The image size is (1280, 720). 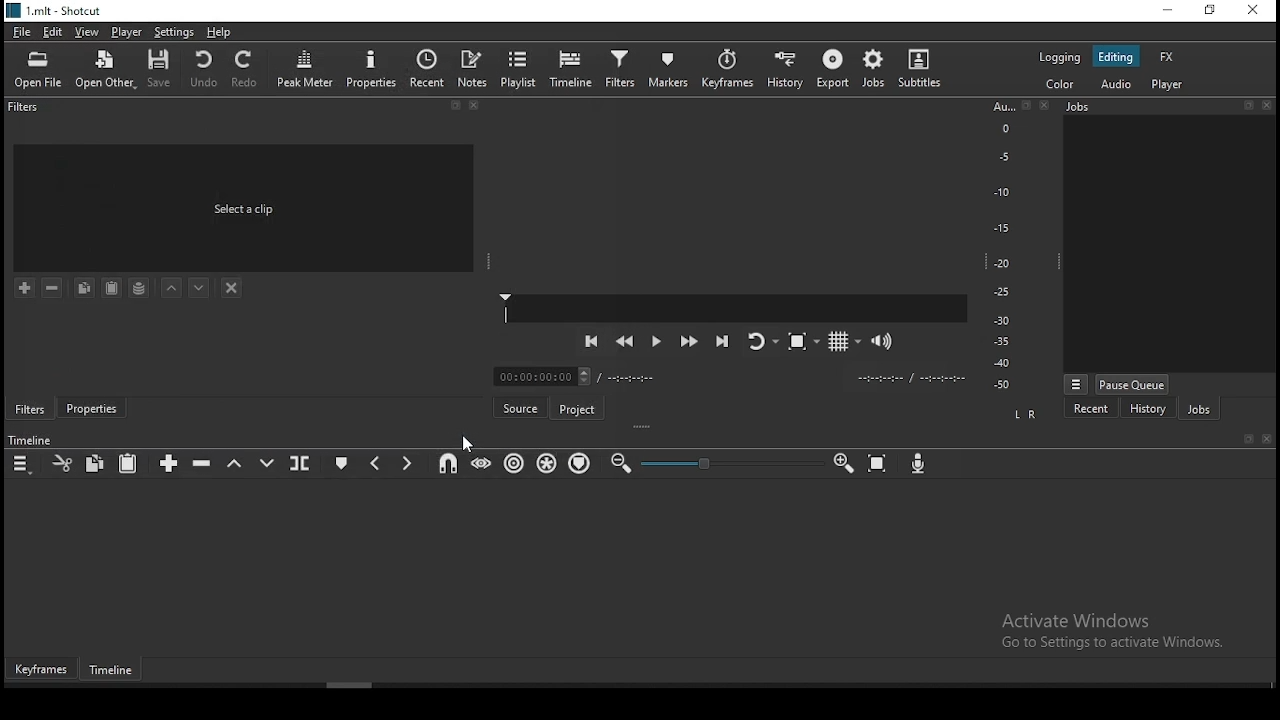 What do you see at coordinates (205, 69) in the screenshot?
I see `undo` at bounding box center [205, 69].